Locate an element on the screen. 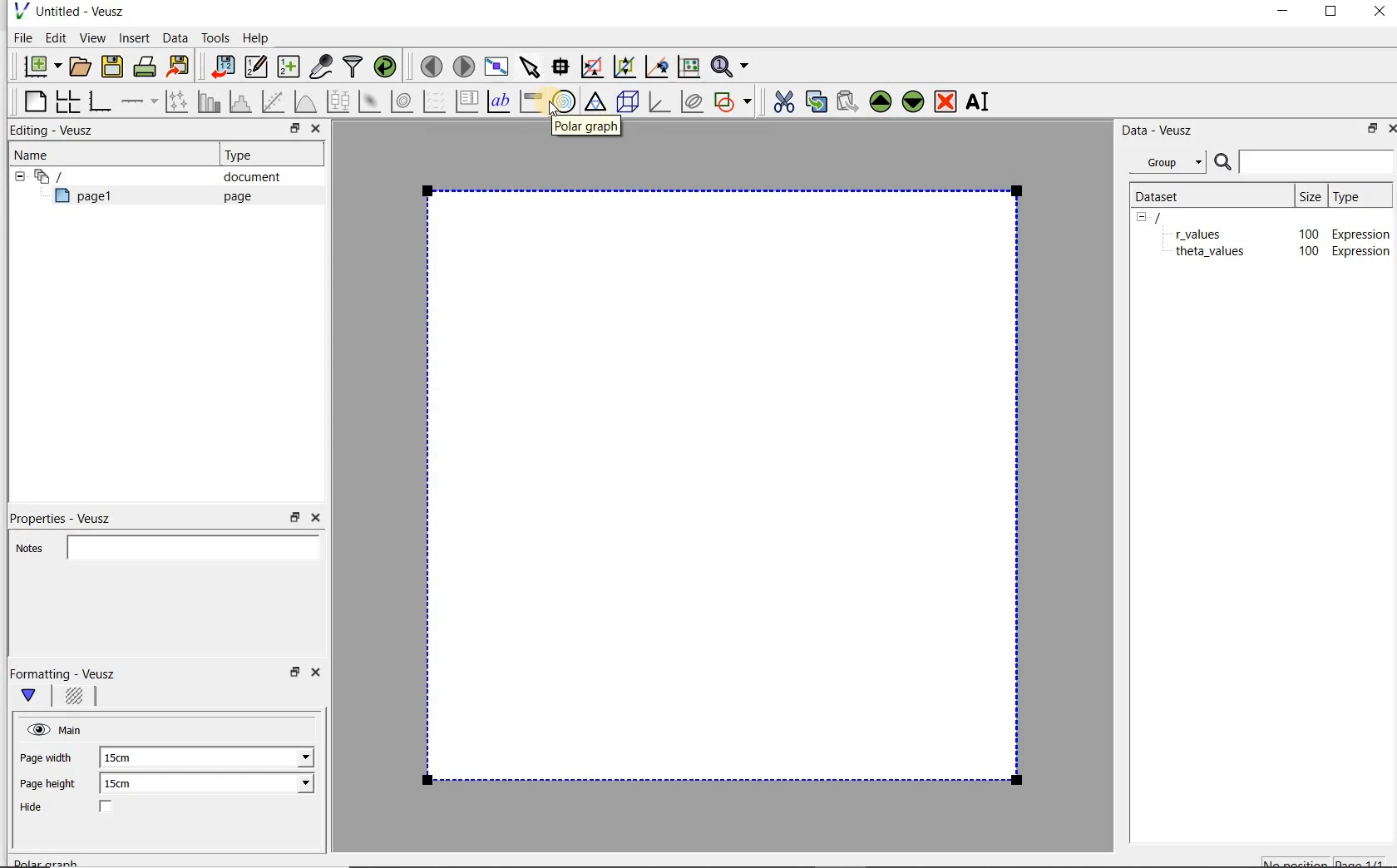 Image resolution: width=1397 pixels, height=868 pixels. Document widget is located at coordinates (78, 176).